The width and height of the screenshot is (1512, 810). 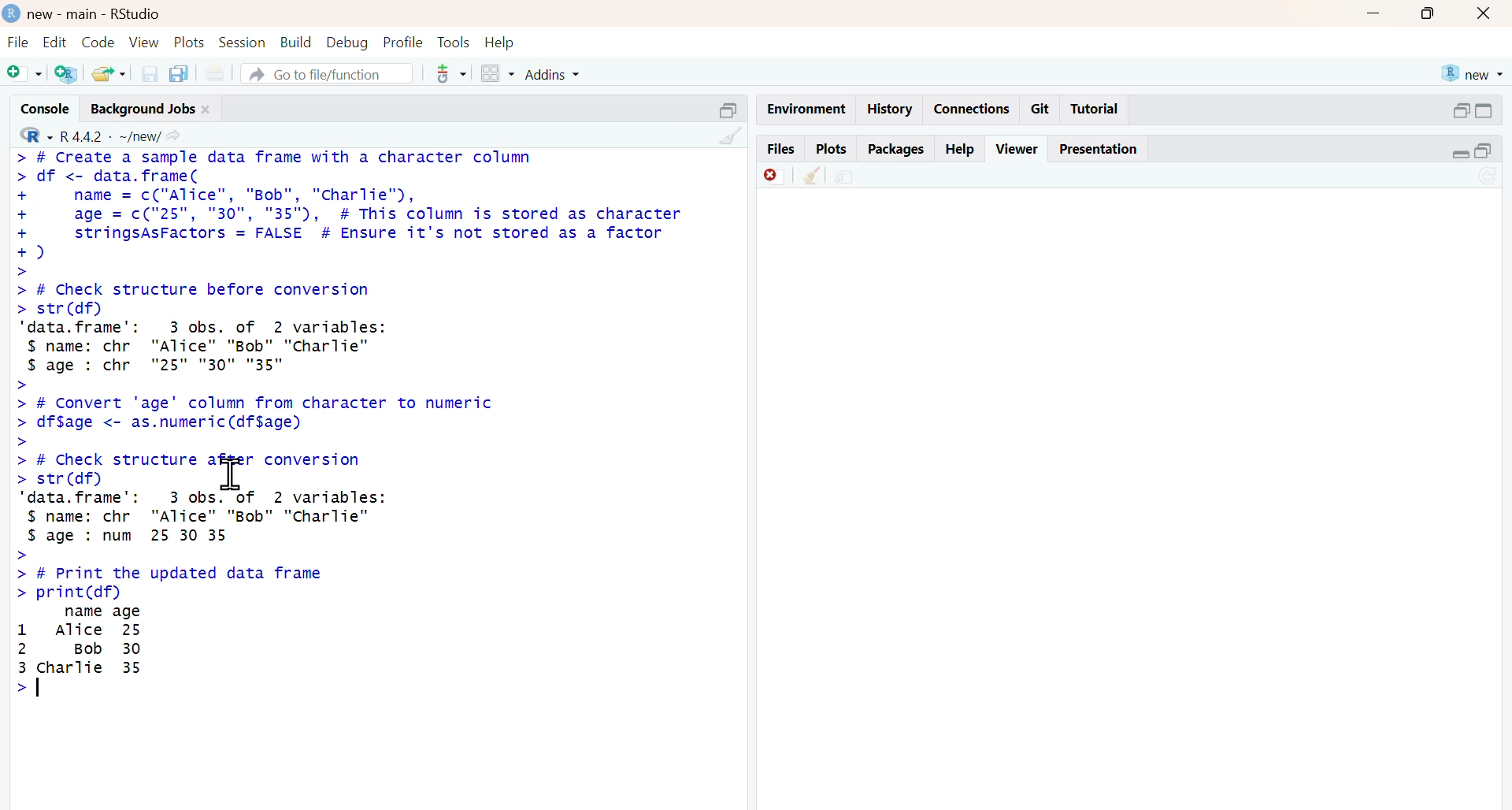 I want to click on open in separate window, so click(x=1460, y=110).